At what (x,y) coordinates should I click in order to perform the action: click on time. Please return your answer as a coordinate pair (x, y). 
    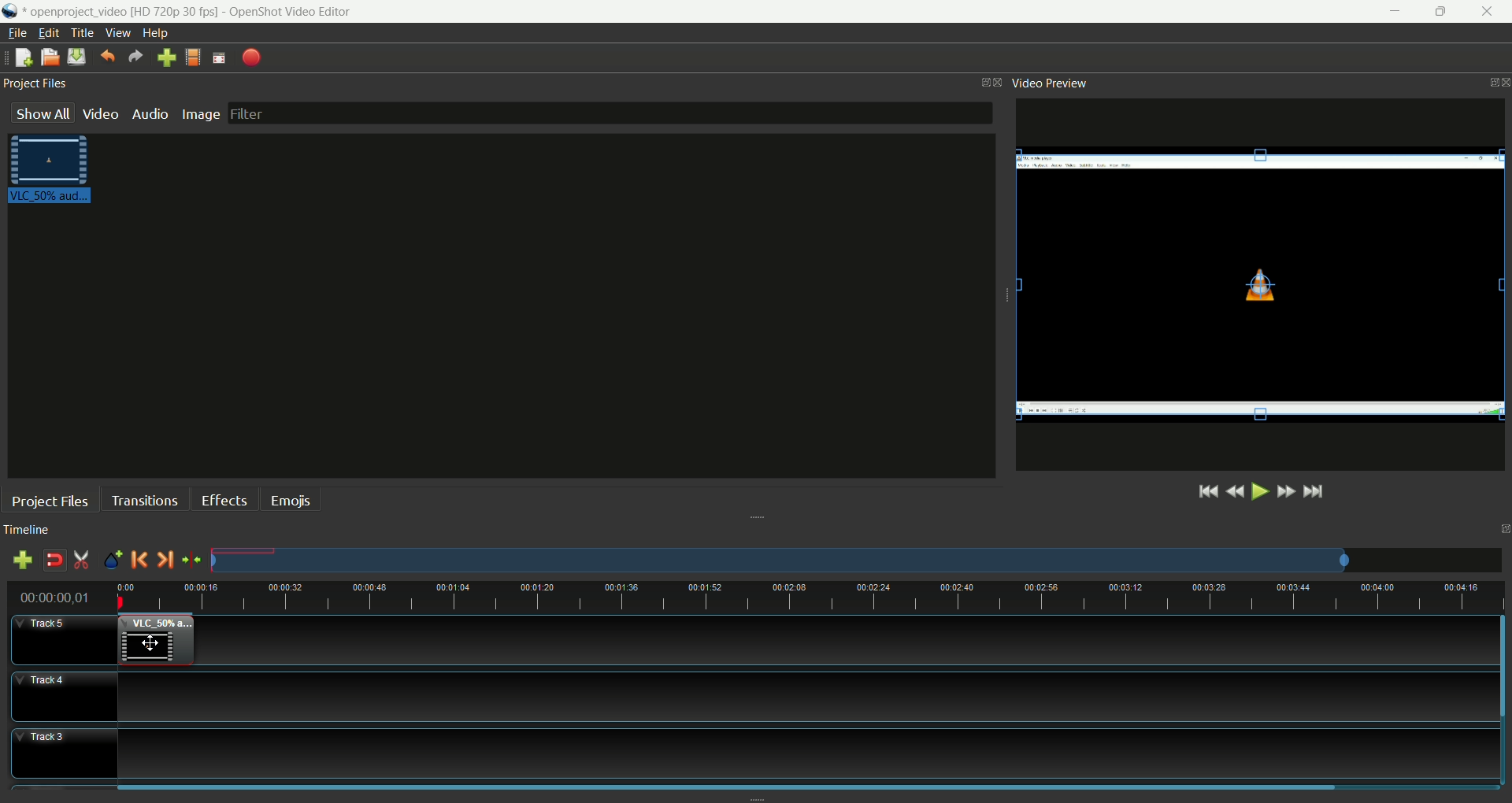
    Looking at the image, I should click on (60, 598).